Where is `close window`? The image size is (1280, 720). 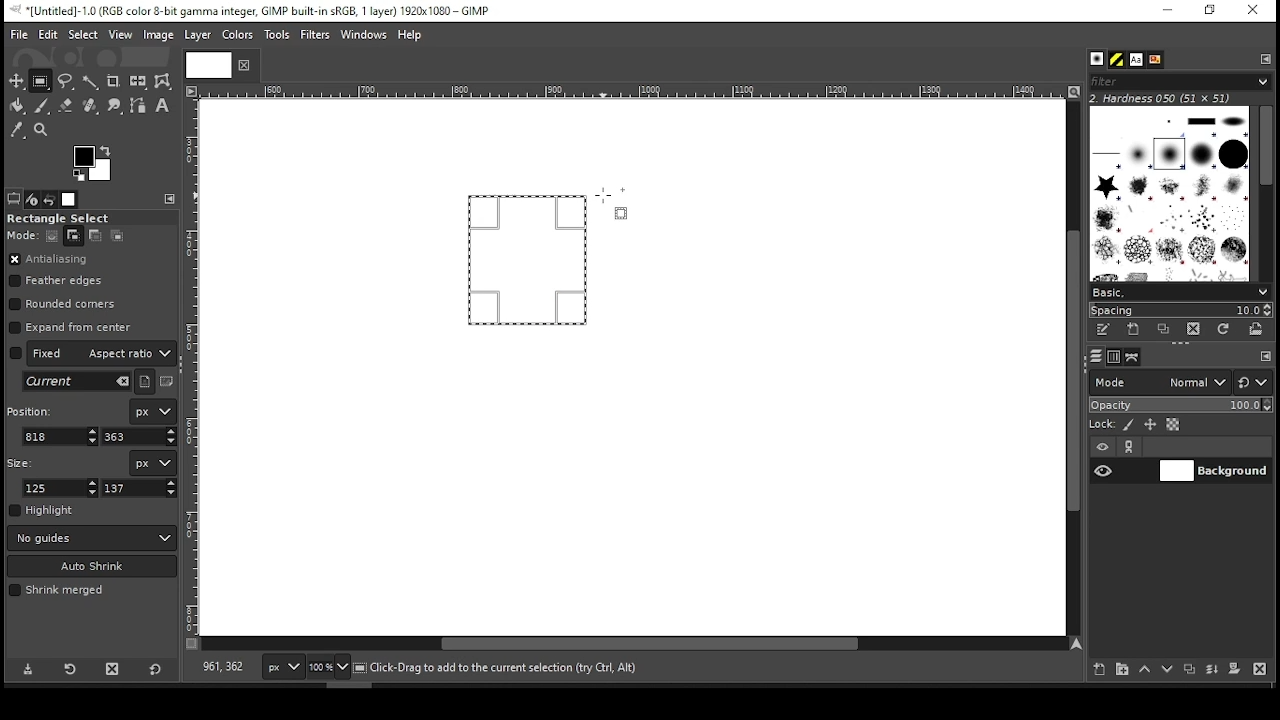
close window is located at coordinates (1252, 11).